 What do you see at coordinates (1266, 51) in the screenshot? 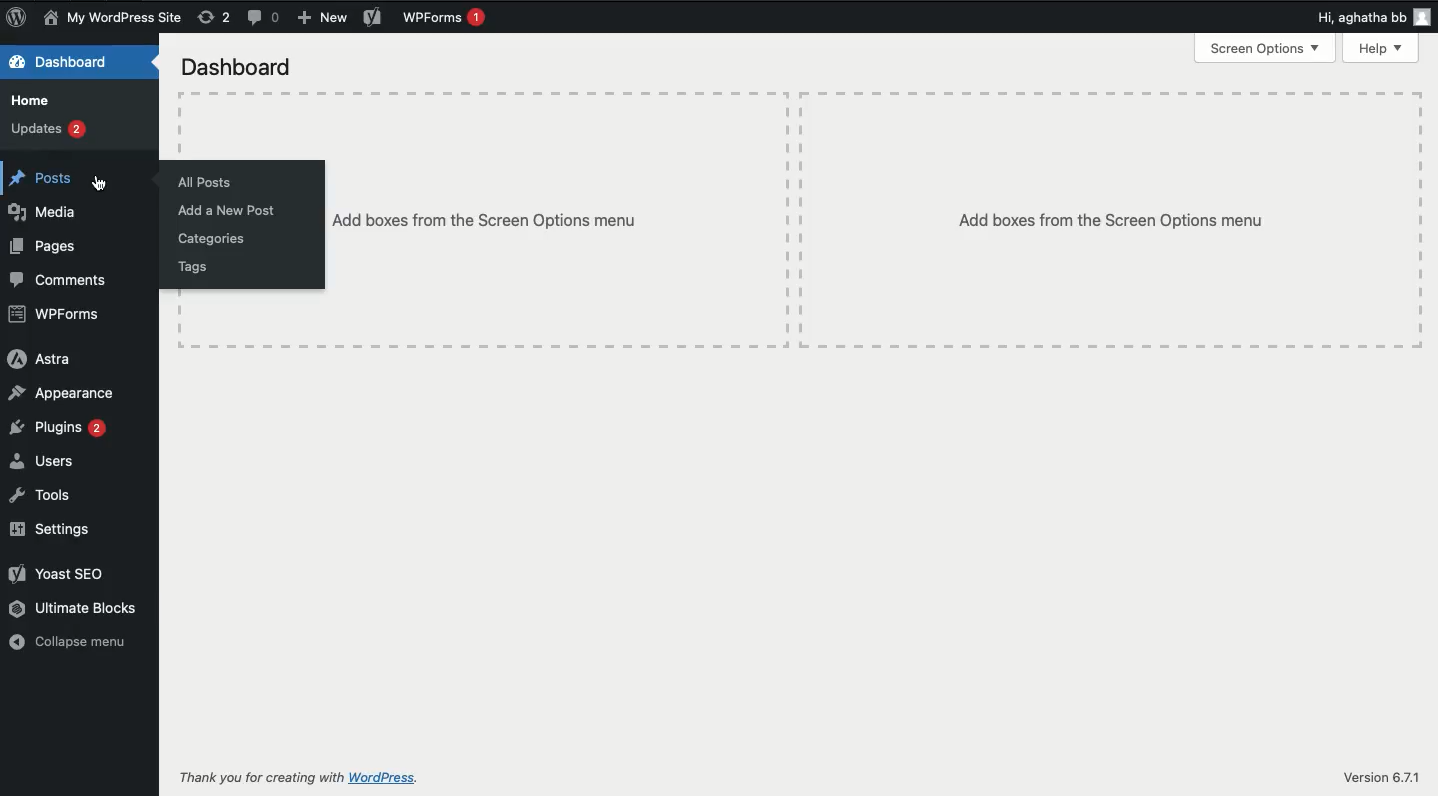
I see `Screen options` at bounding box center [1266, 51].